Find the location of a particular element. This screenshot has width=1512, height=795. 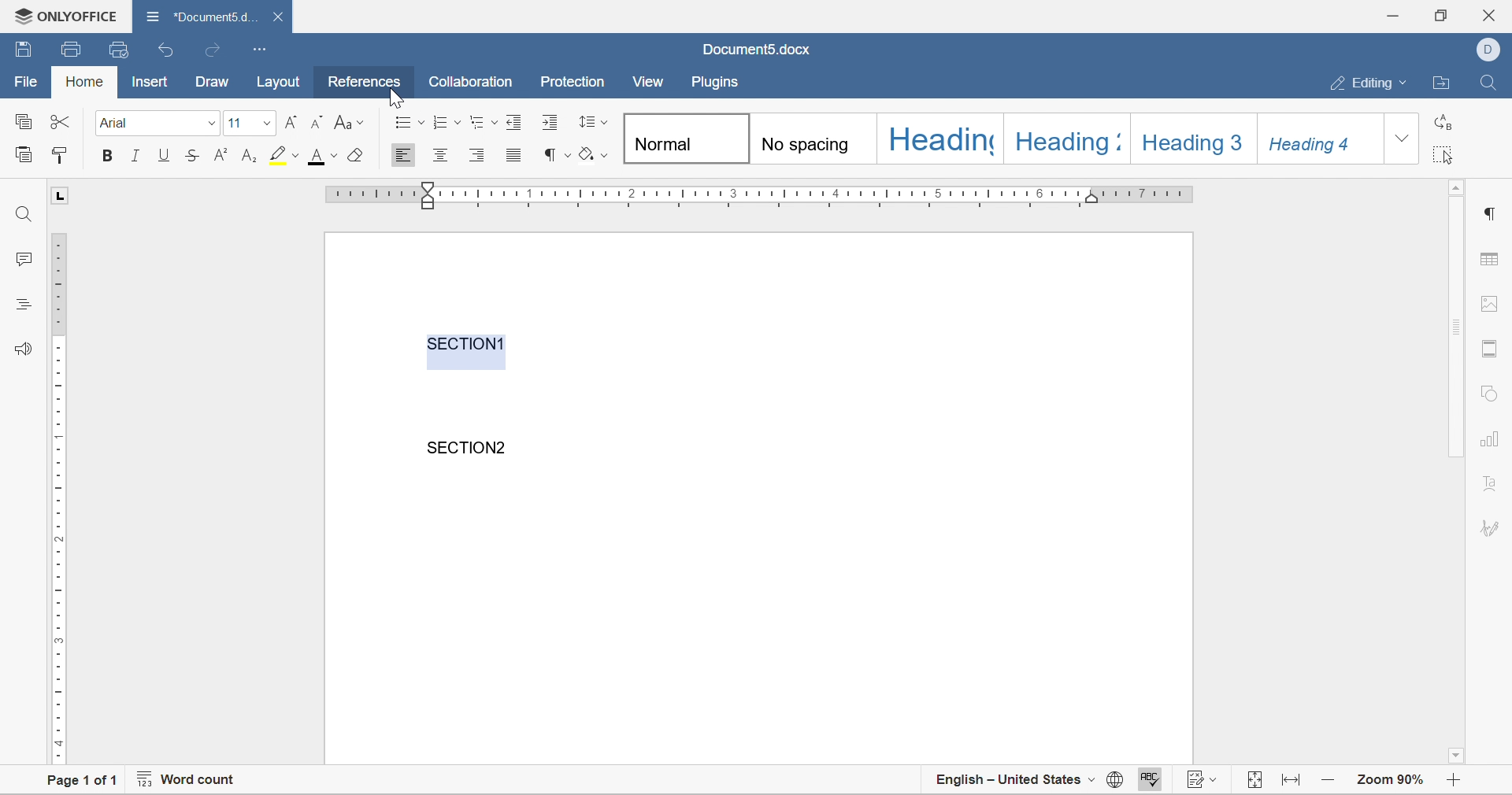

ONLYOFFICE is located at coordinates (61, 13).